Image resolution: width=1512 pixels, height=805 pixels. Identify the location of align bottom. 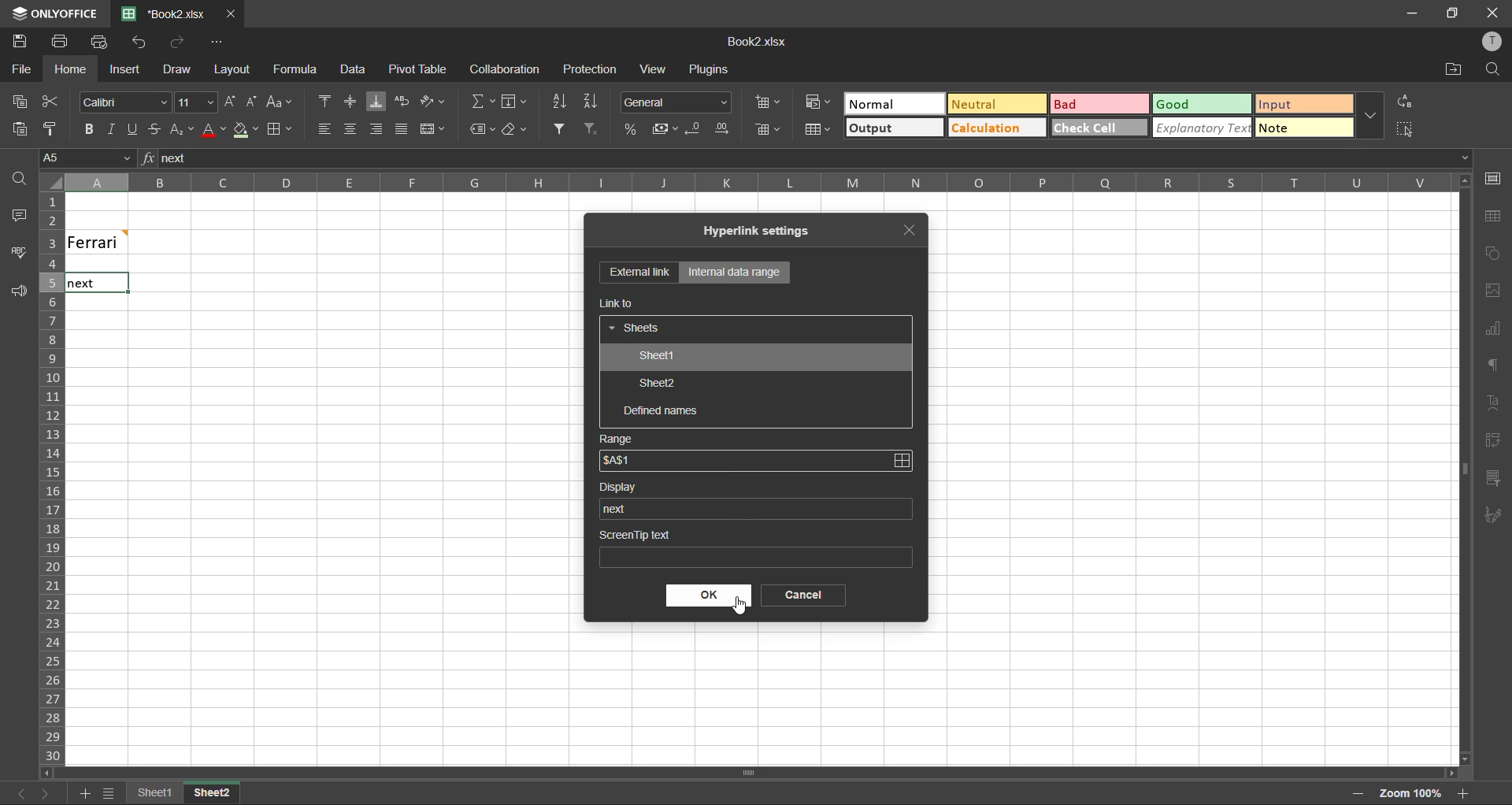
(380, 102).